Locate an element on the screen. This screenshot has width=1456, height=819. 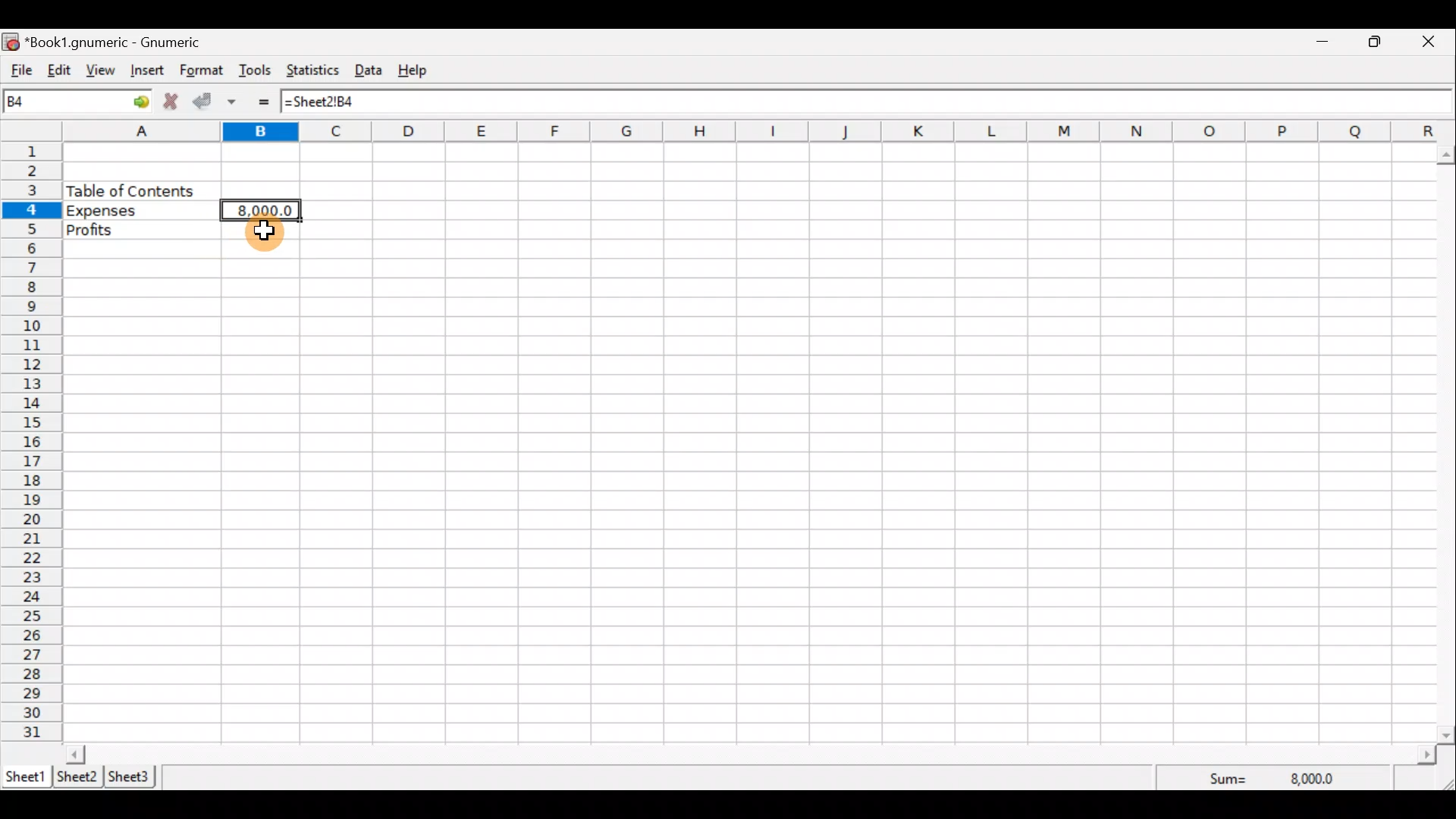
numbering column is located at coordinates (30, 444).